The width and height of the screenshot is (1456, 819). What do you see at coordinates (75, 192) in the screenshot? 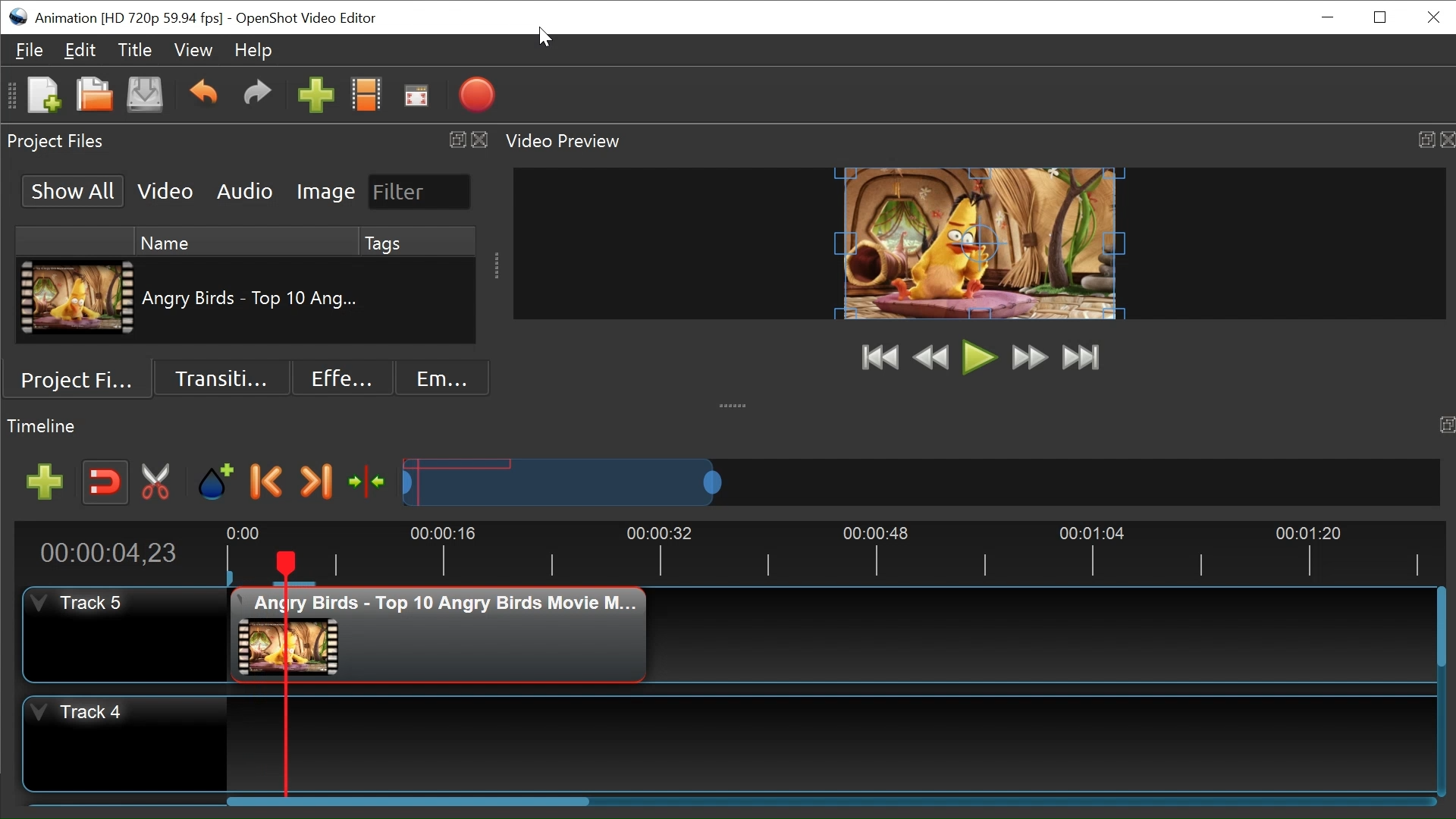
I see `Show All` at bounding box center [75, 192].